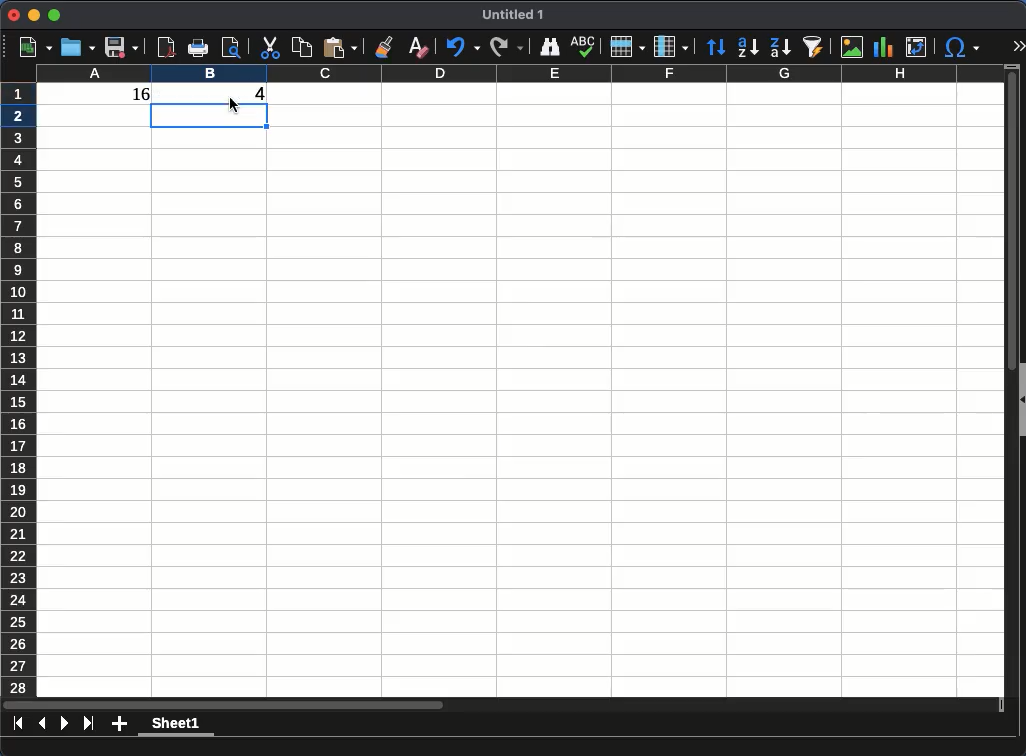 The height and width of the screenshot is (756, 1026). Describe the element at coordinates (177, 727) in the screenshot. I see `sheet1` at that location.